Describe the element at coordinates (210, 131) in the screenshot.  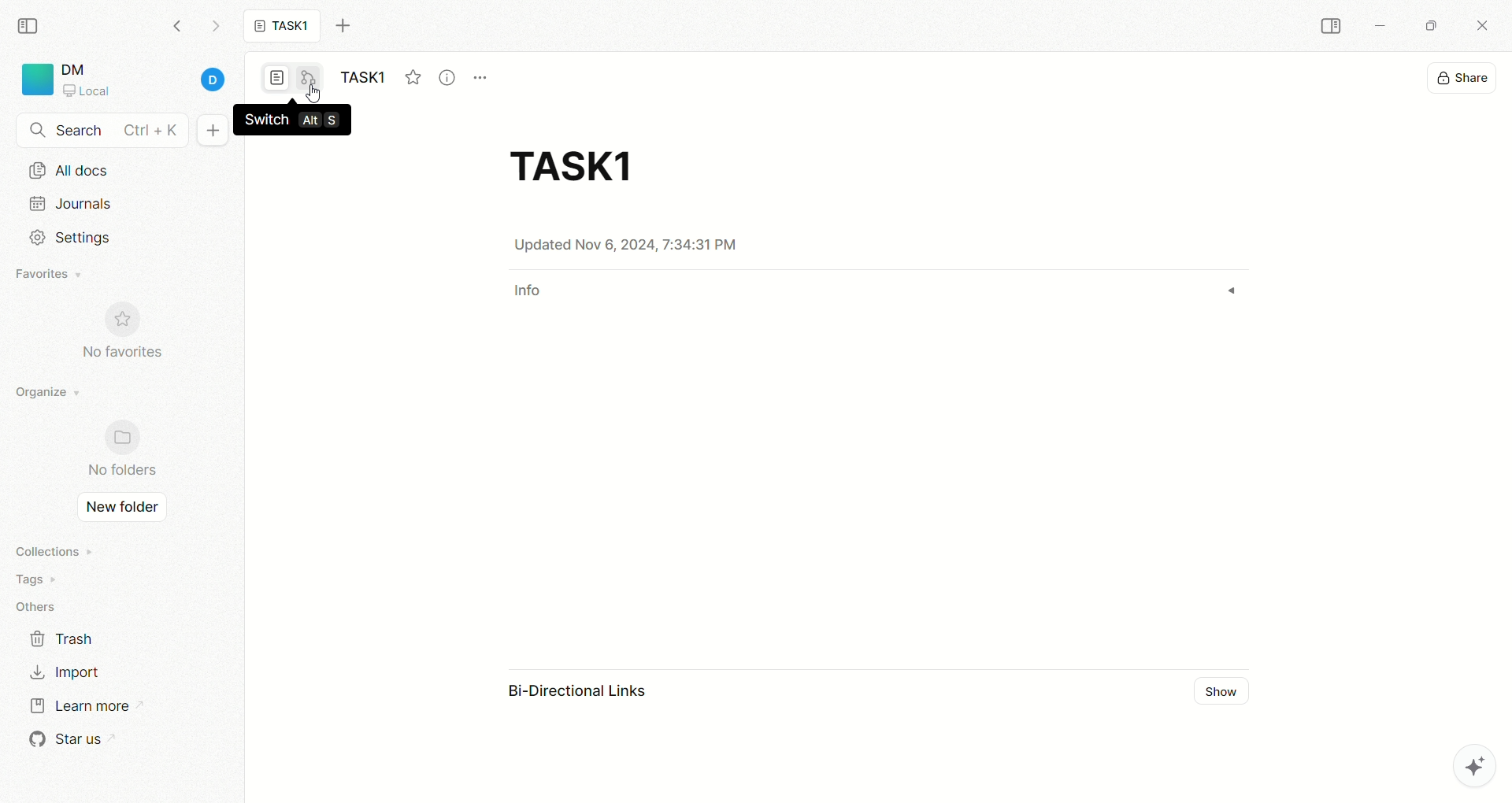
I see `new document` at that location.